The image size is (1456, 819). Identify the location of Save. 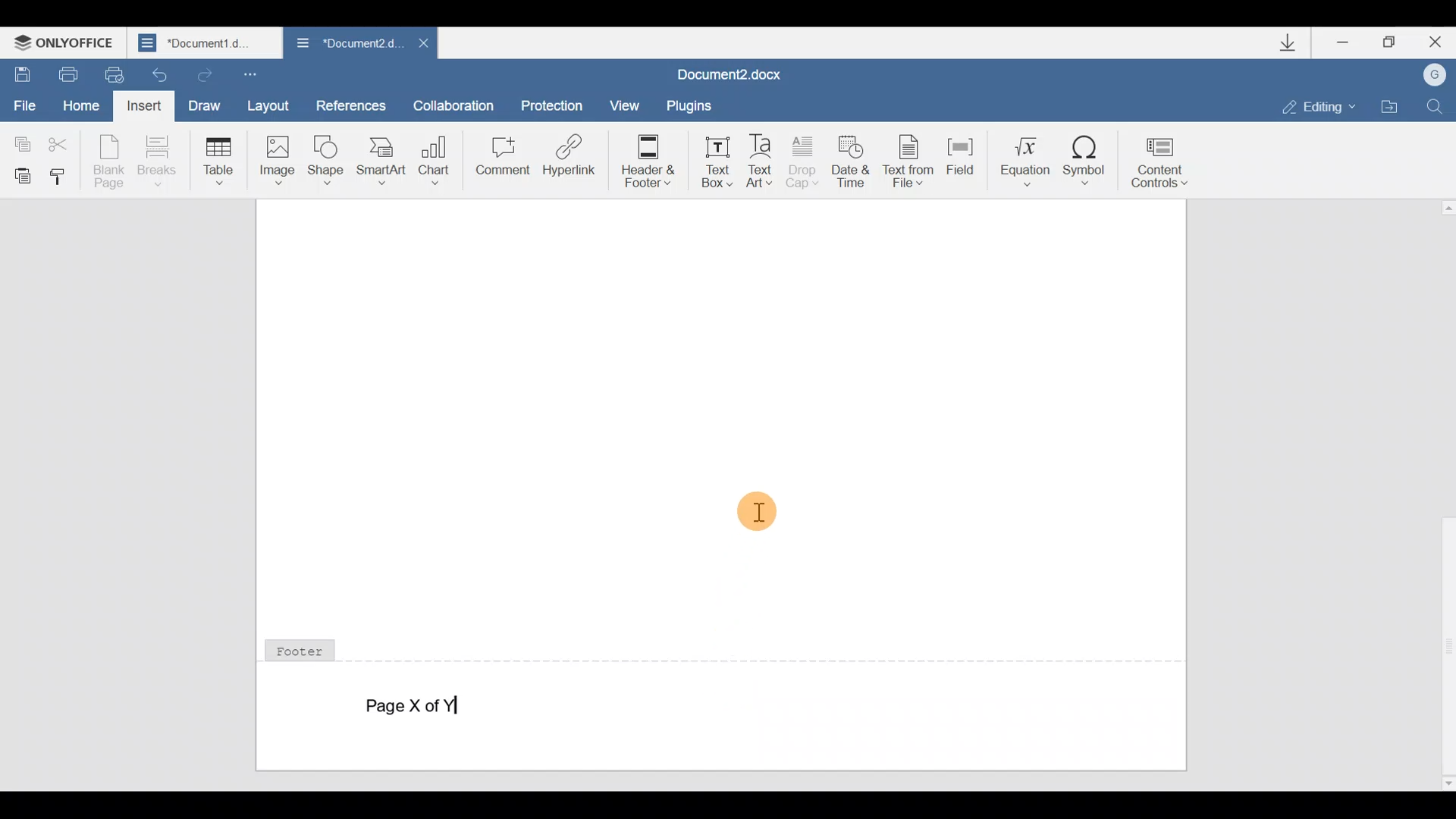
(21, 74).